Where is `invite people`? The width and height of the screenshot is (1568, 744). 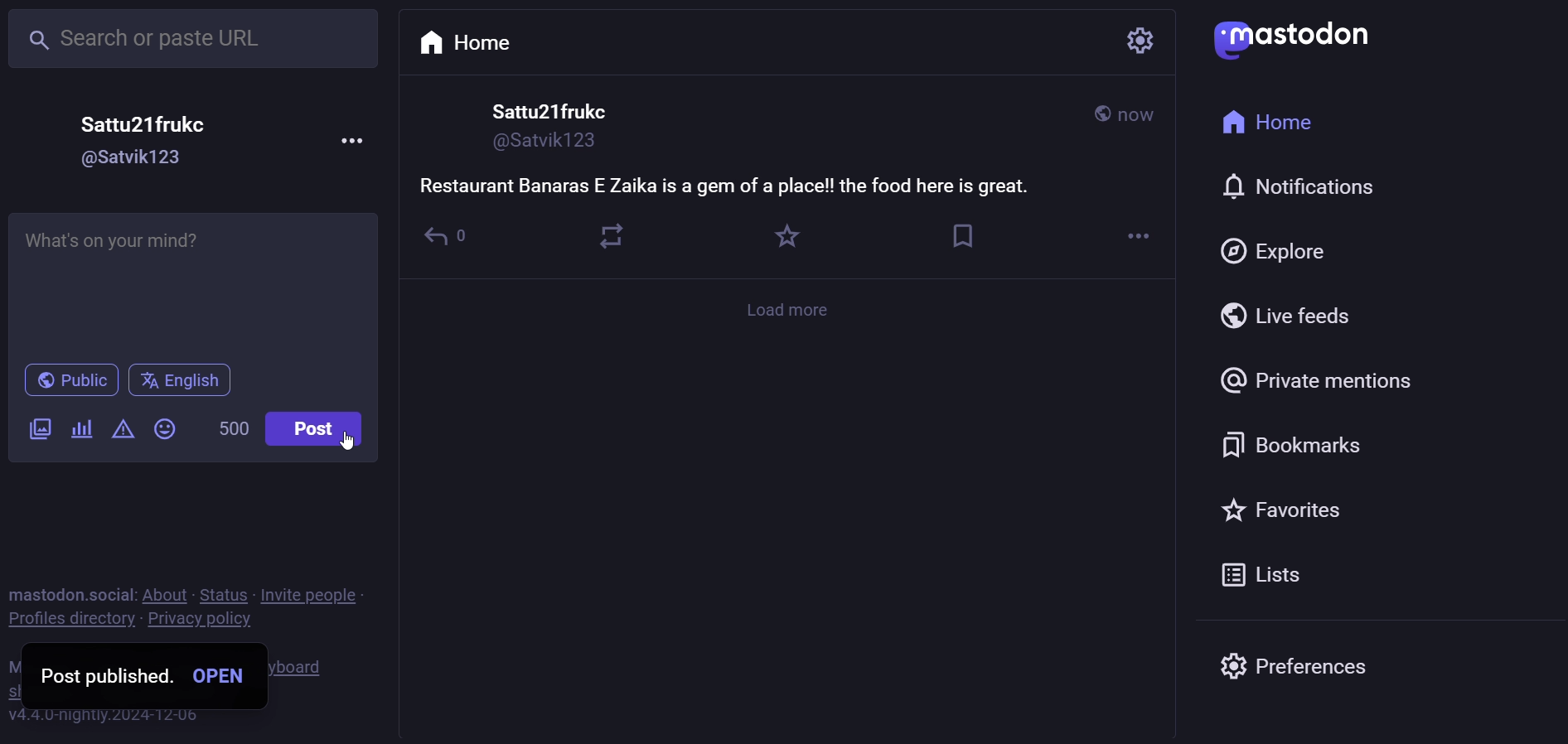 invite people is located at coordinates (311, 595).